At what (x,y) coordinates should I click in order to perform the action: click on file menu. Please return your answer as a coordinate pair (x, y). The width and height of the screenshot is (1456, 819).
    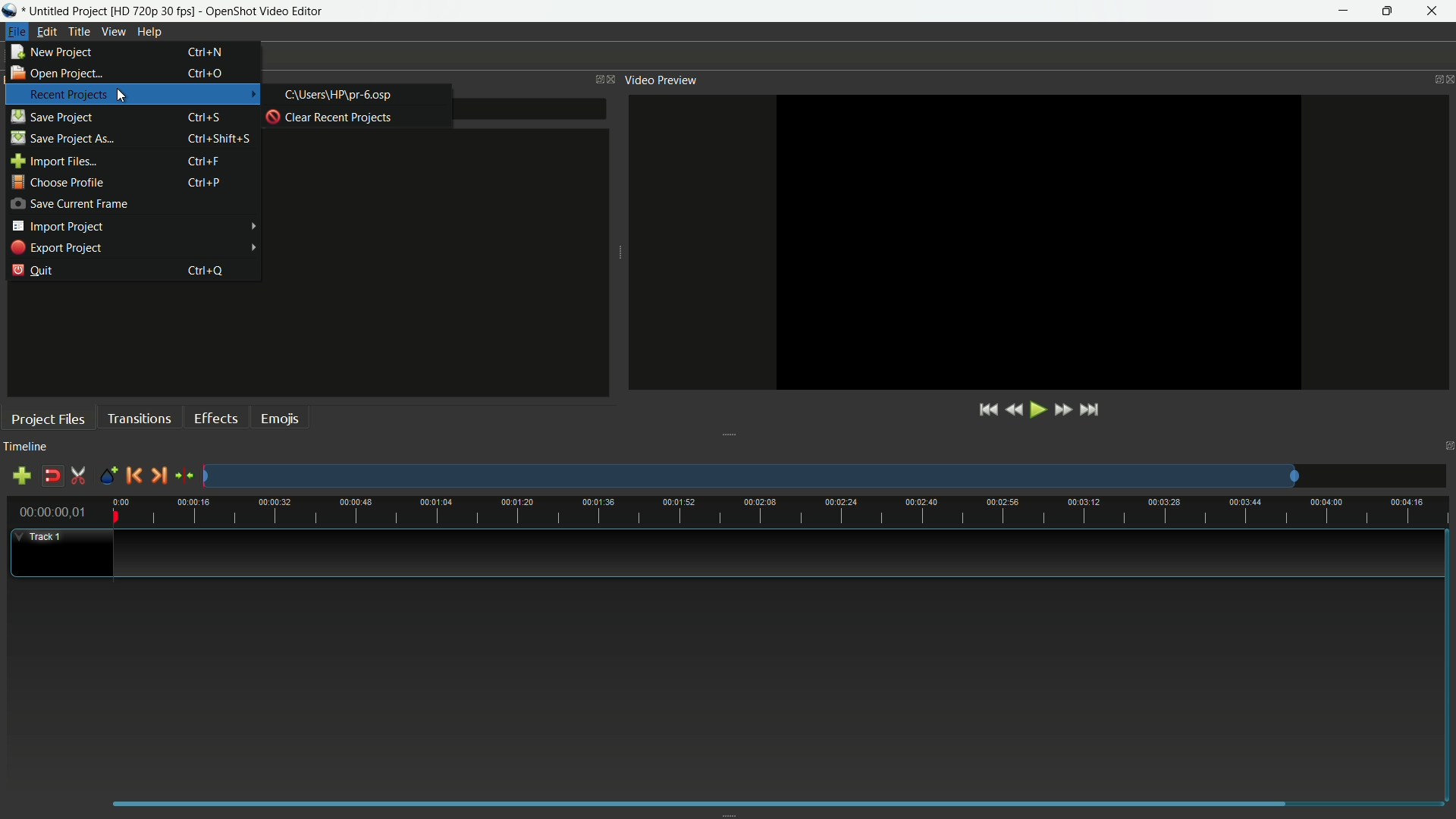
    Looking at the image, I should click on (17, 31).